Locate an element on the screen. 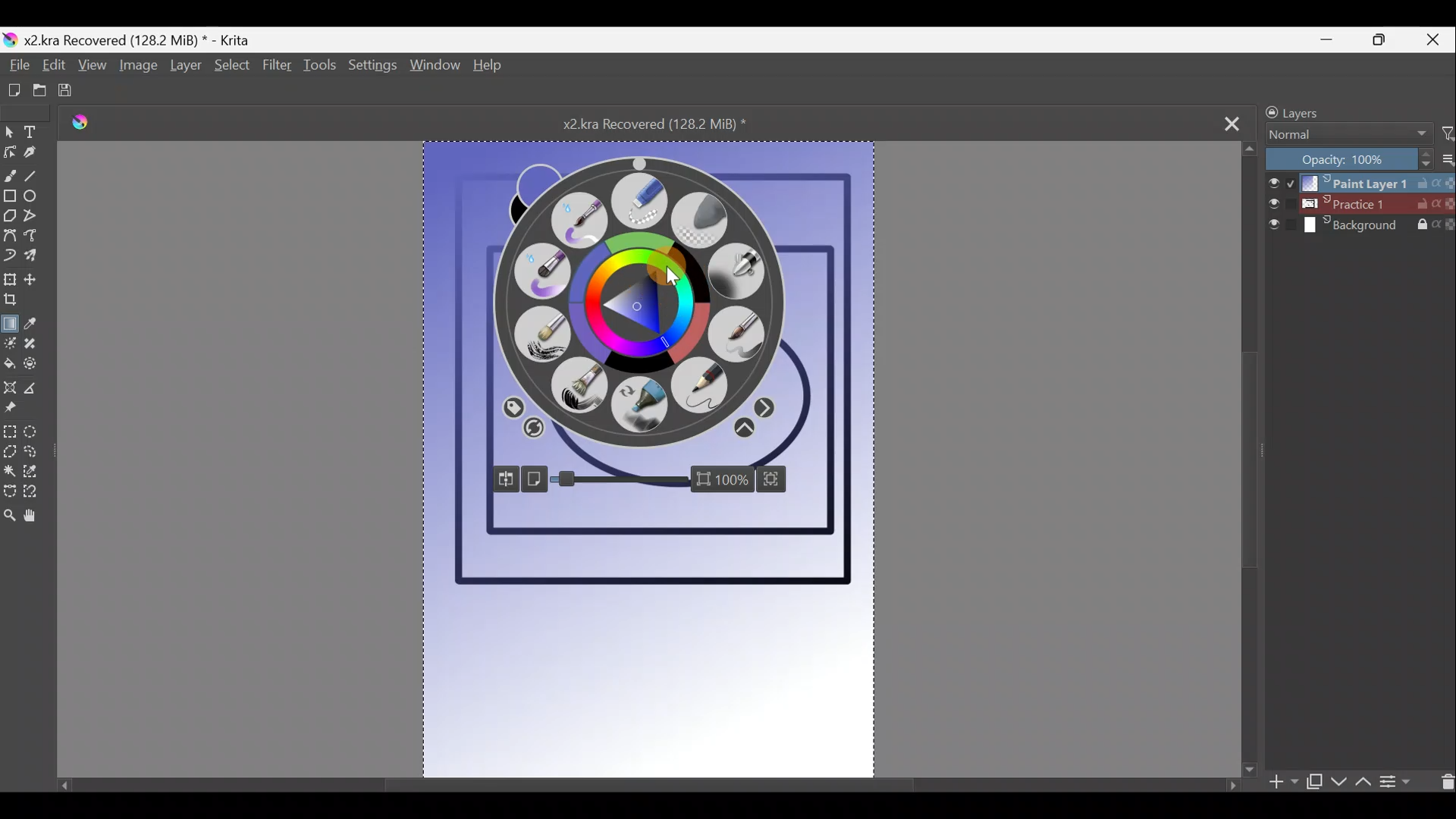  Smart patch tool is located at coordinates (36, 345).